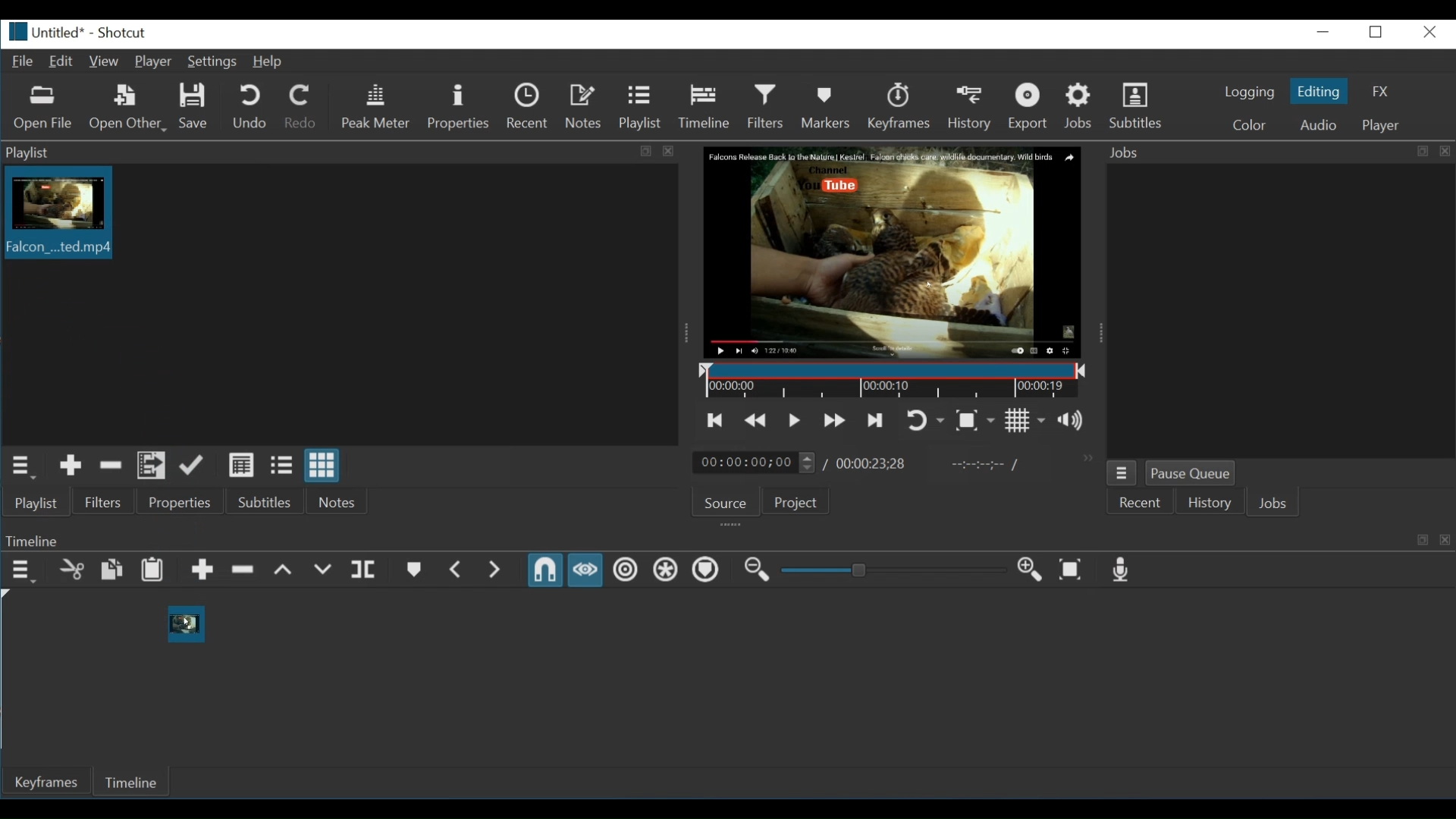 The width and height of the screenshot is (1456, 819). Describe the element at coordinates (1280, 309) in the screenshot. I see `jobs panel` at that location.